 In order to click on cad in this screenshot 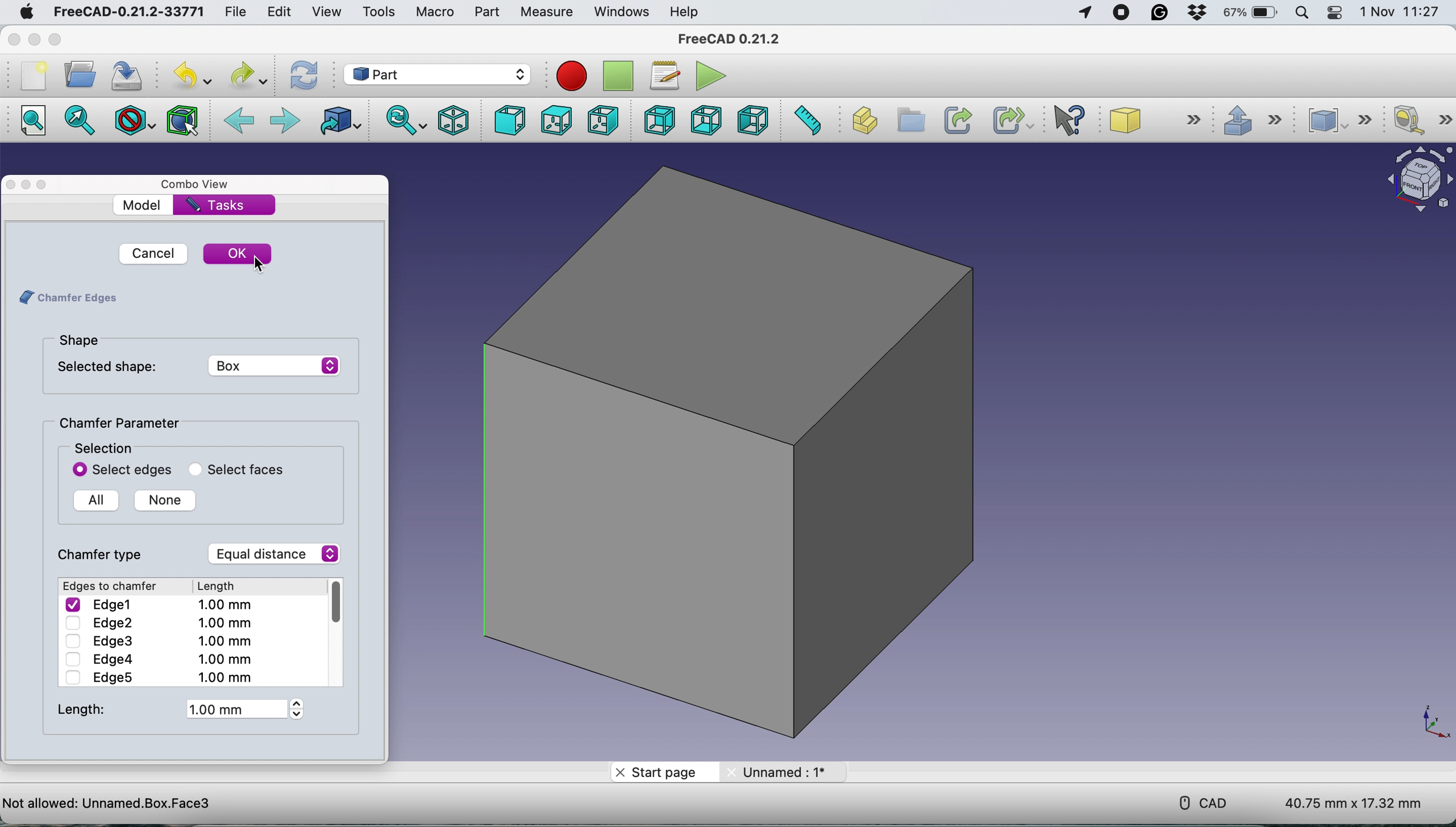, I will do `click(1197, 800)`.